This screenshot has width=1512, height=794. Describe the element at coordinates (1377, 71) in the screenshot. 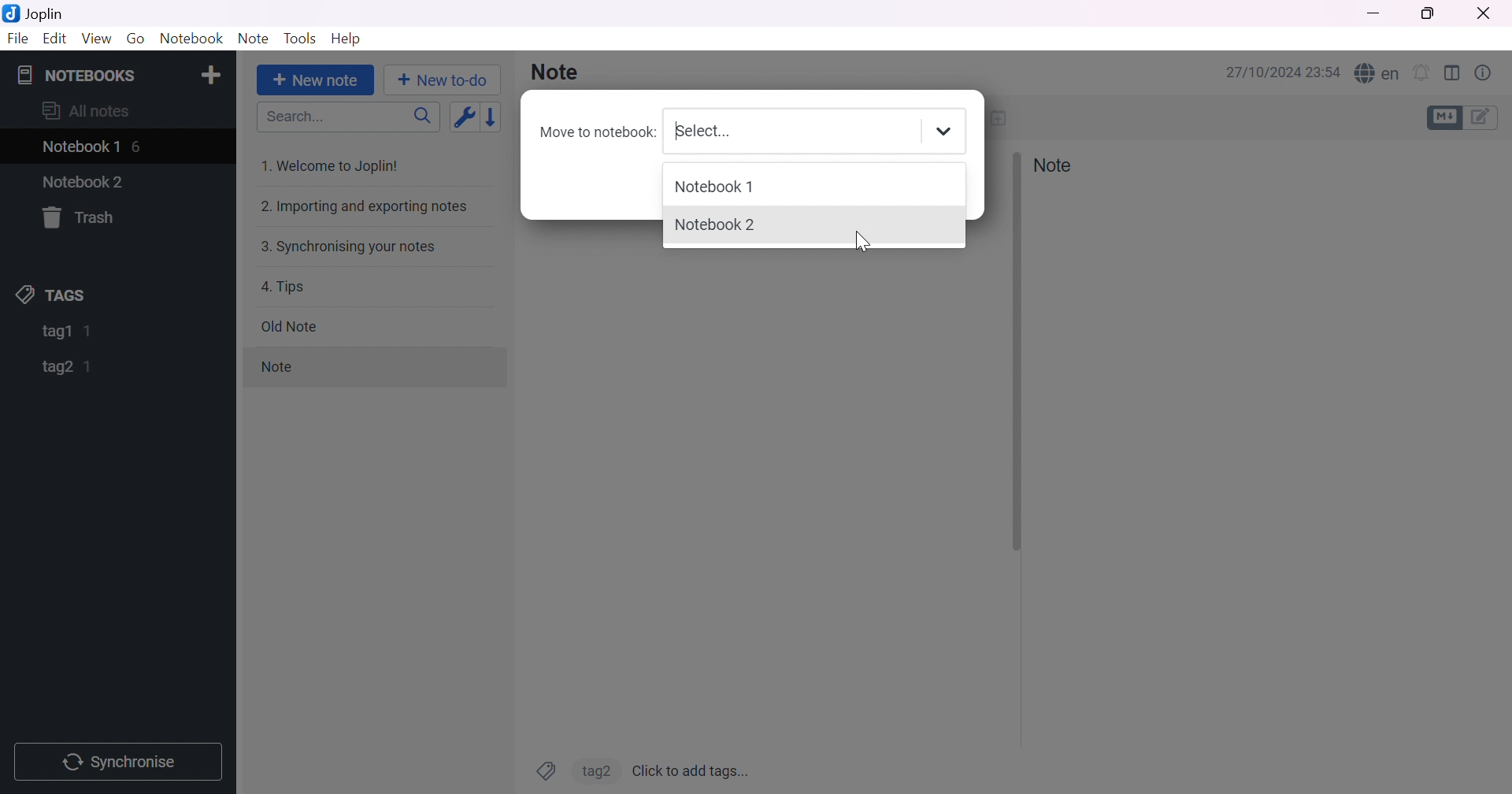

I see `Spell checker` at that location.